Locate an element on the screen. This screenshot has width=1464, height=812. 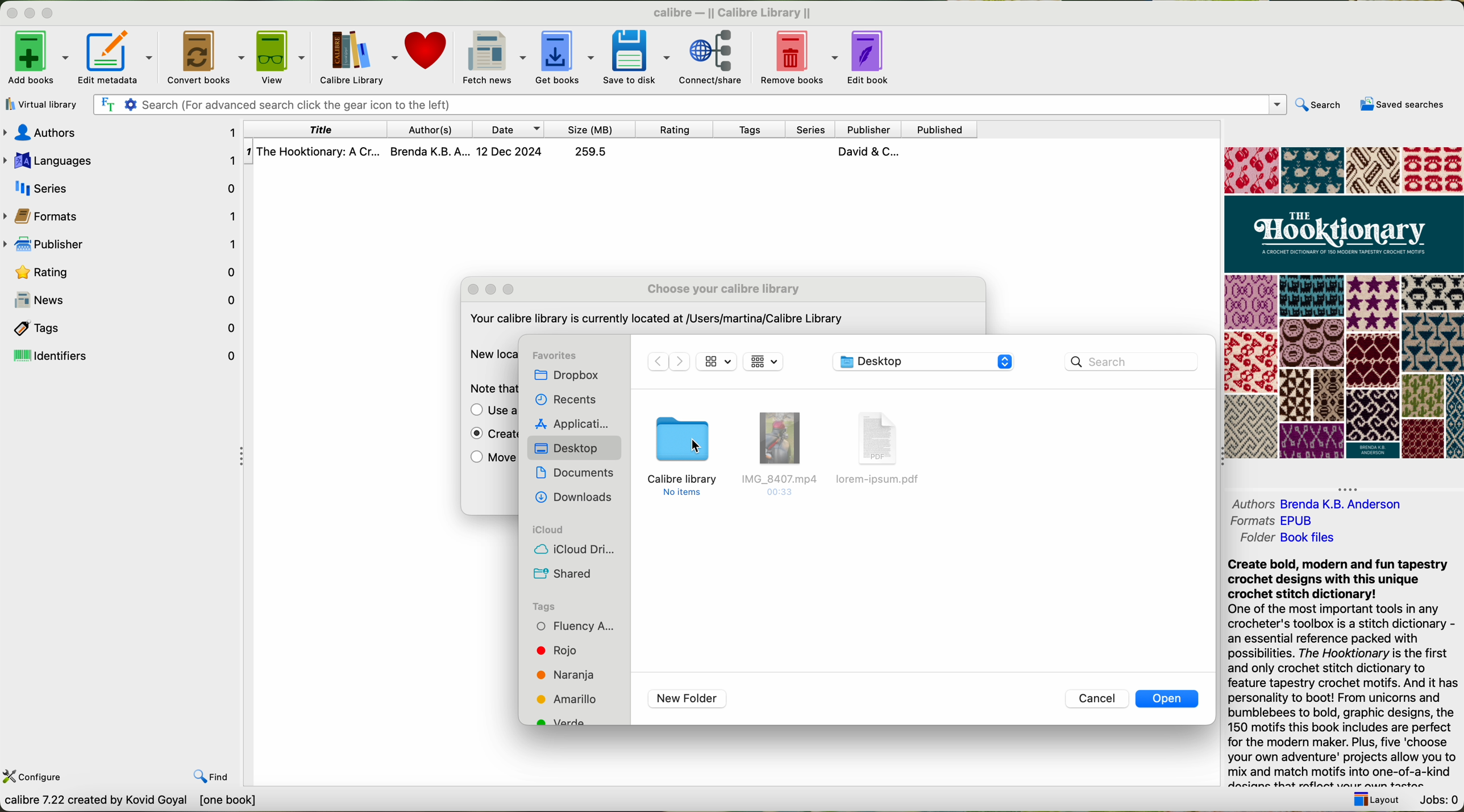
maximize is located at coordinates (48, 13).